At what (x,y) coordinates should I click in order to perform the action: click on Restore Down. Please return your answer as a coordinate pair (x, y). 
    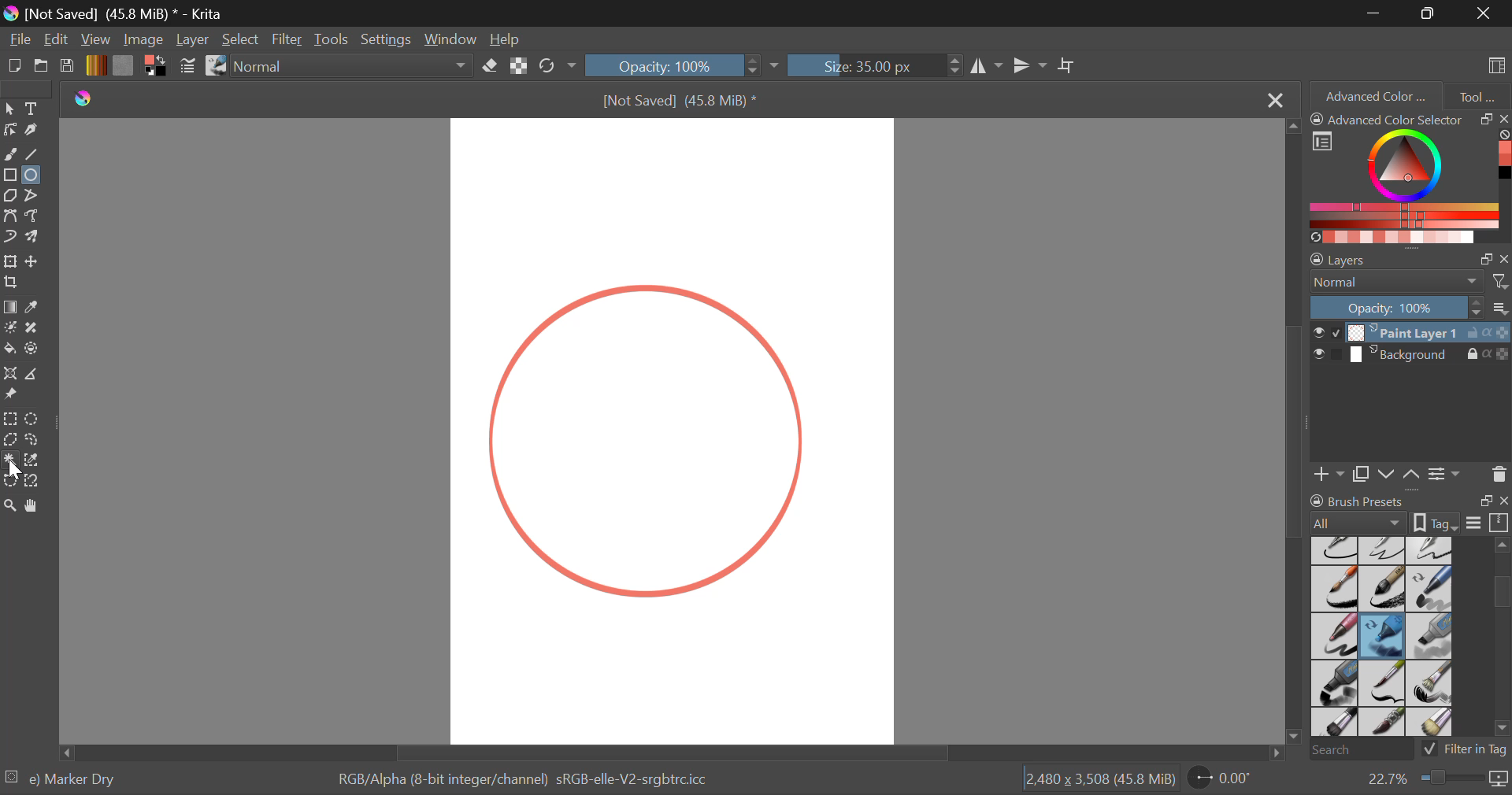
    Looking at the image, I should click on (1377, 13).